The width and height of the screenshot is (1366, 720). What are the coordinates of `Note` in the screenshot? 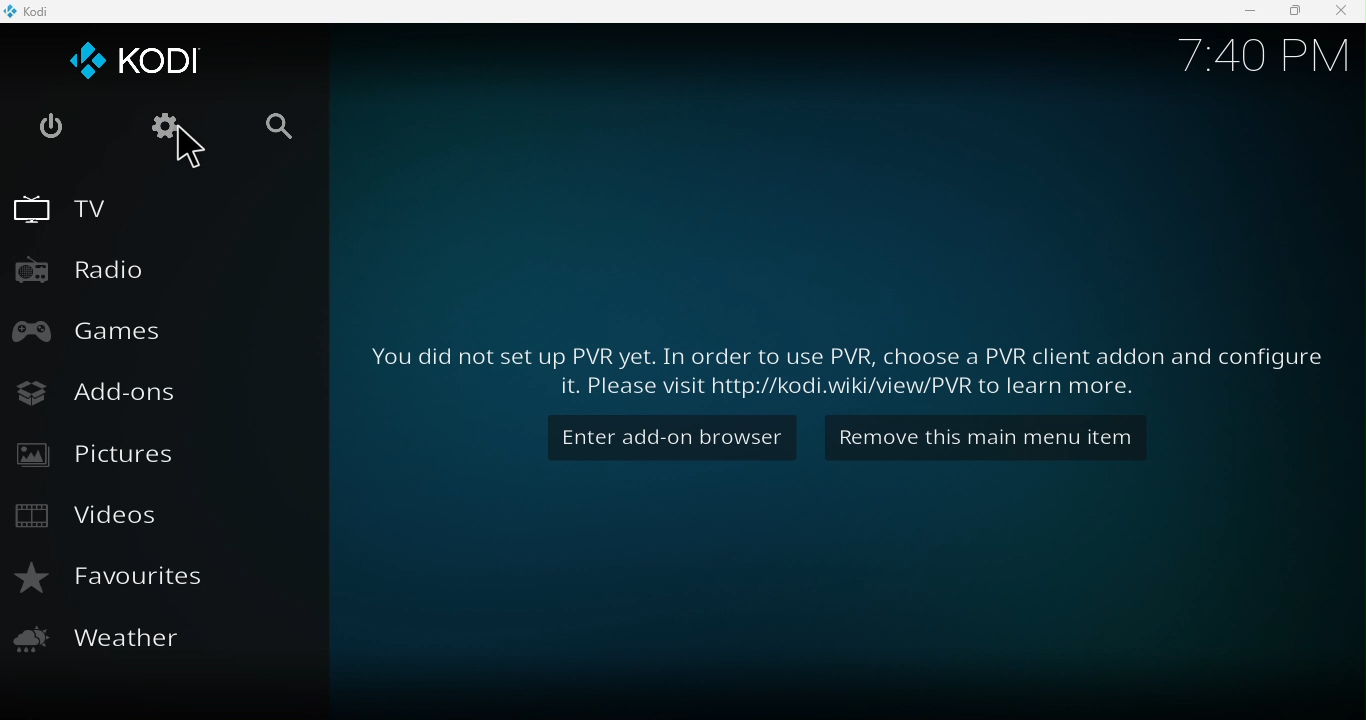 It's located at (851, 362).